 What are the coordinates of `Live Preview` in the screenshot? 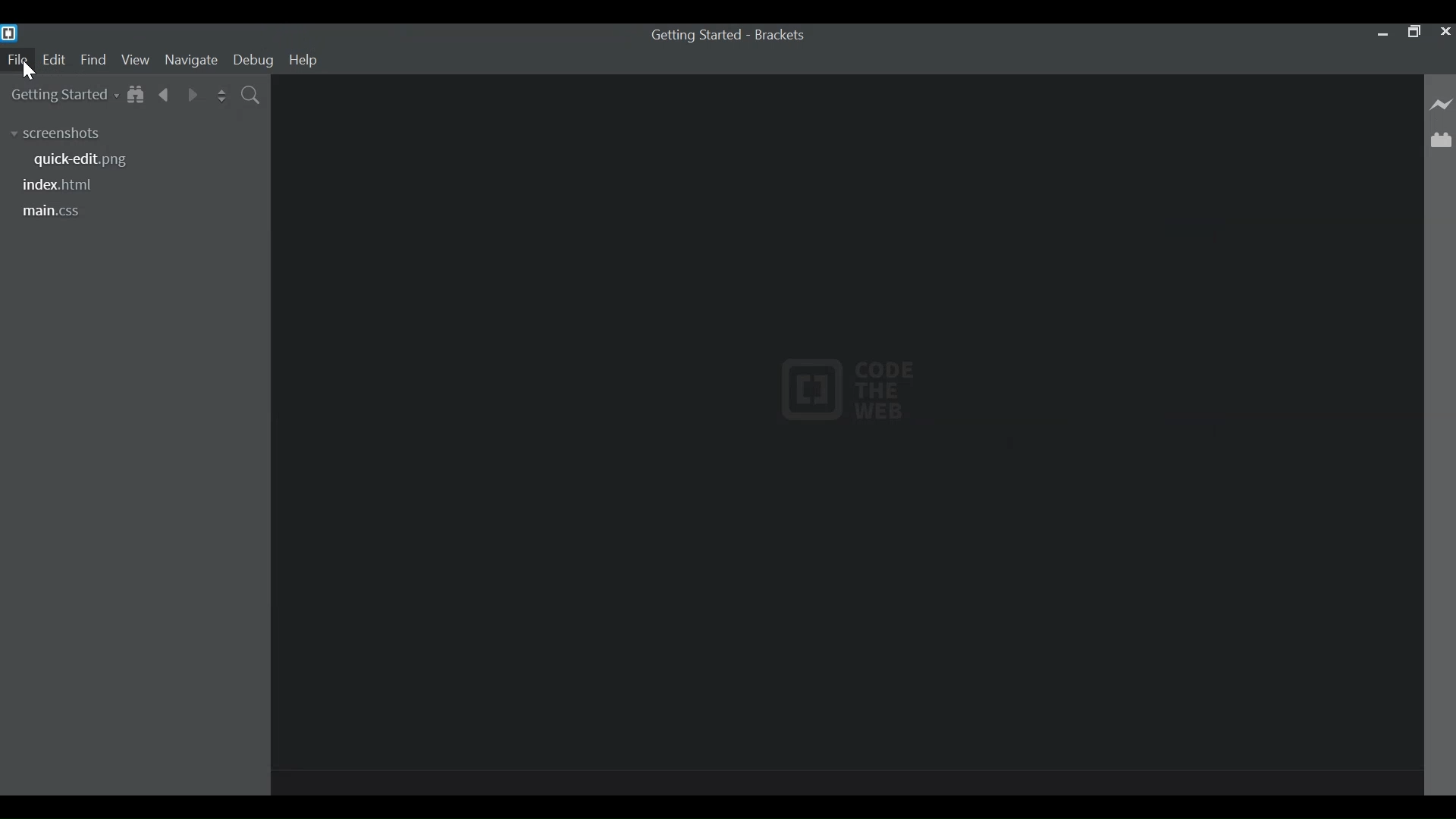 It's located at (1442, 105).